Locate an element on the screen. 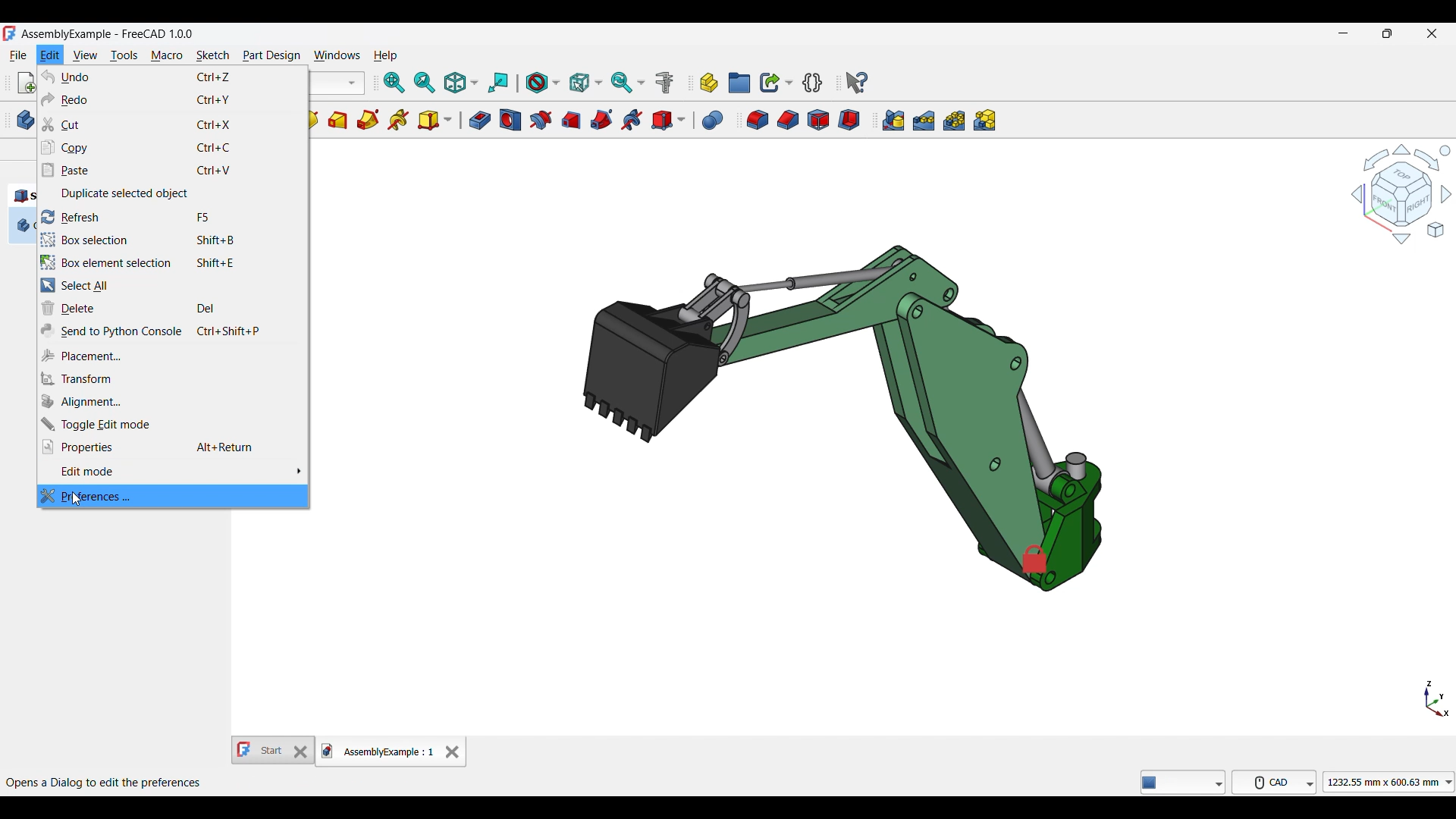  Macro menu is located at coordinates (167, 56).